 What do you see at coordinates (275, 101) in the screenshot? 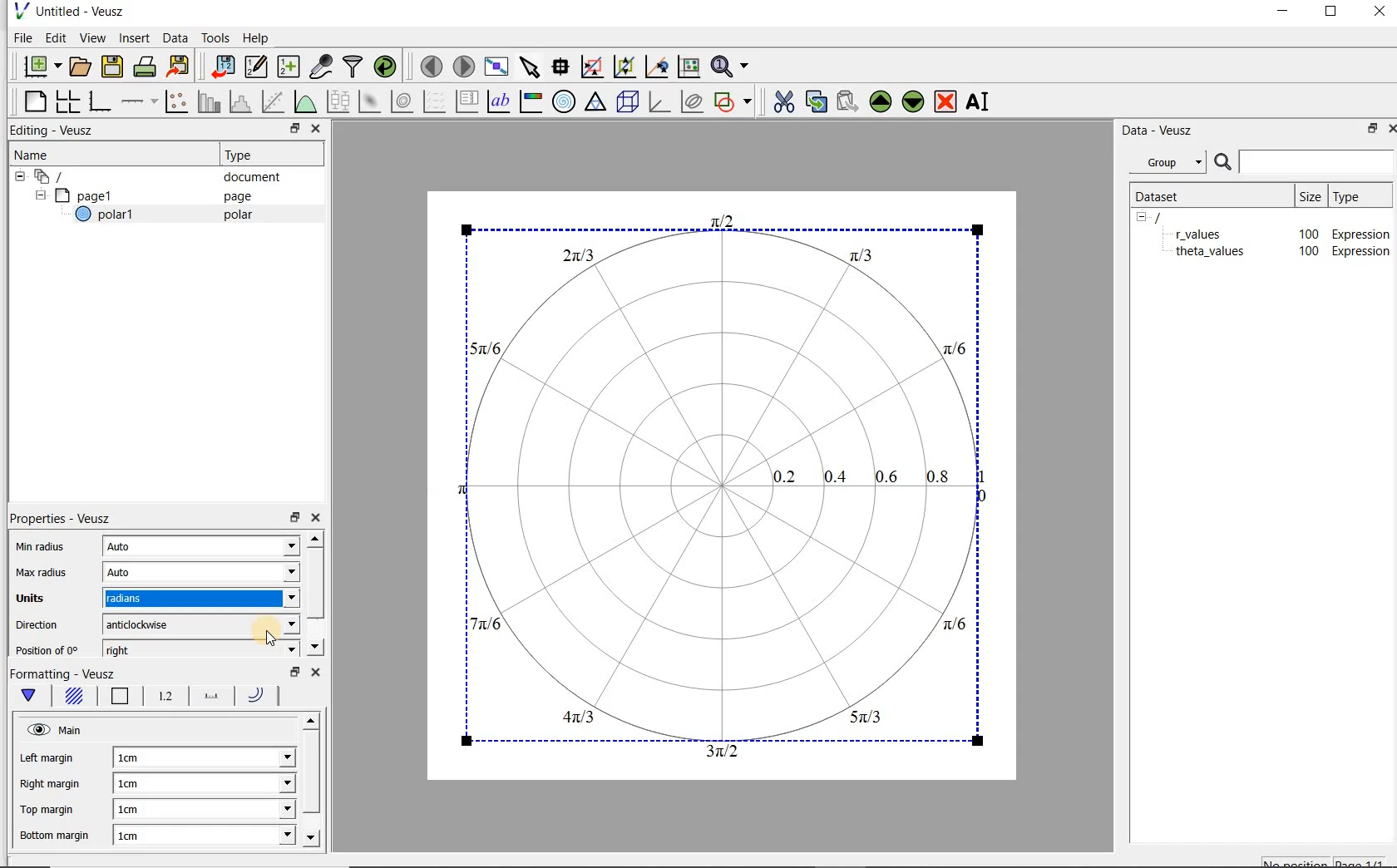
I see `Fit a function to data` at bounding box center [275, 101].